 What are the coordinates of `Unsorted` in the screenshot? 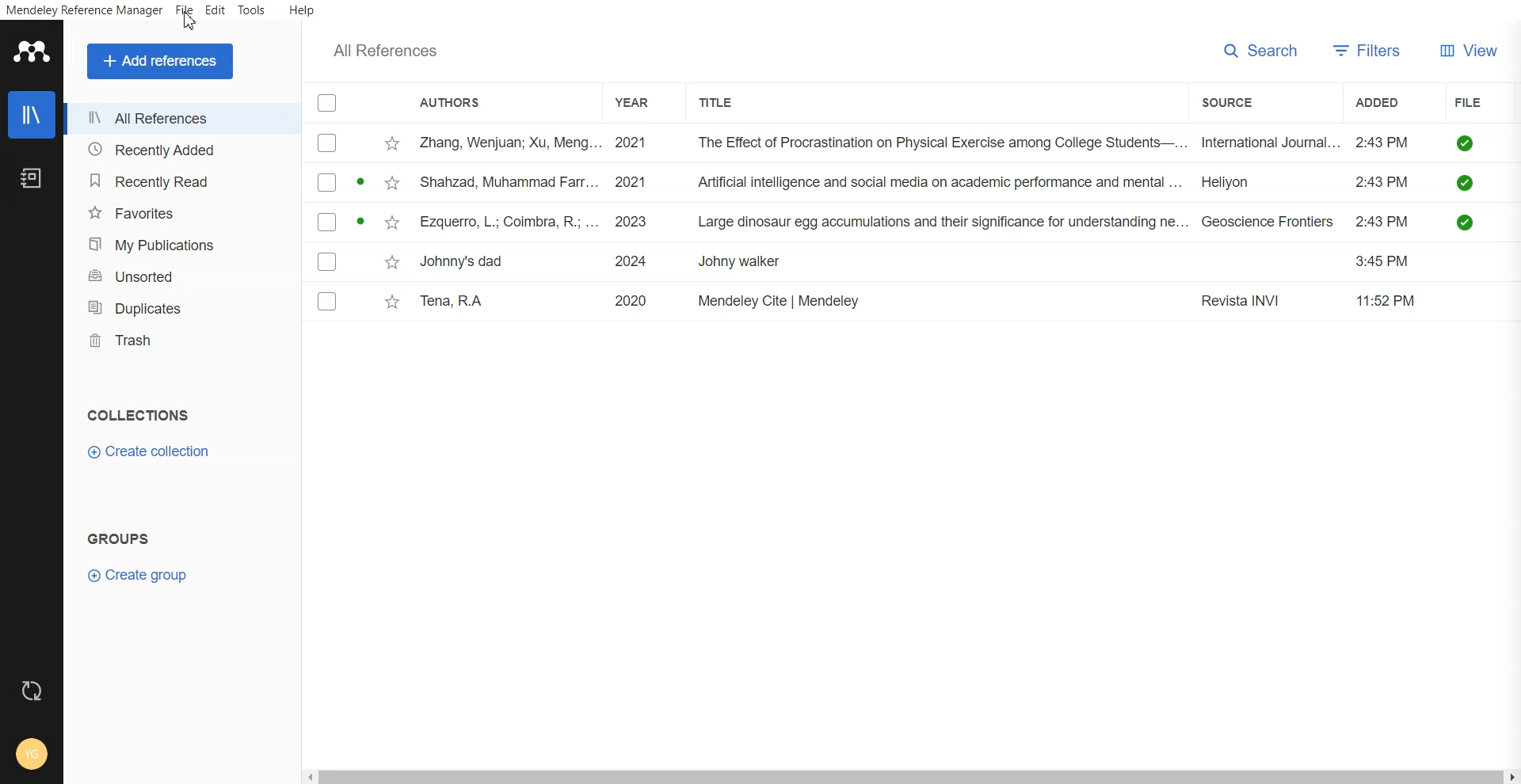 It's located at (177, 276).